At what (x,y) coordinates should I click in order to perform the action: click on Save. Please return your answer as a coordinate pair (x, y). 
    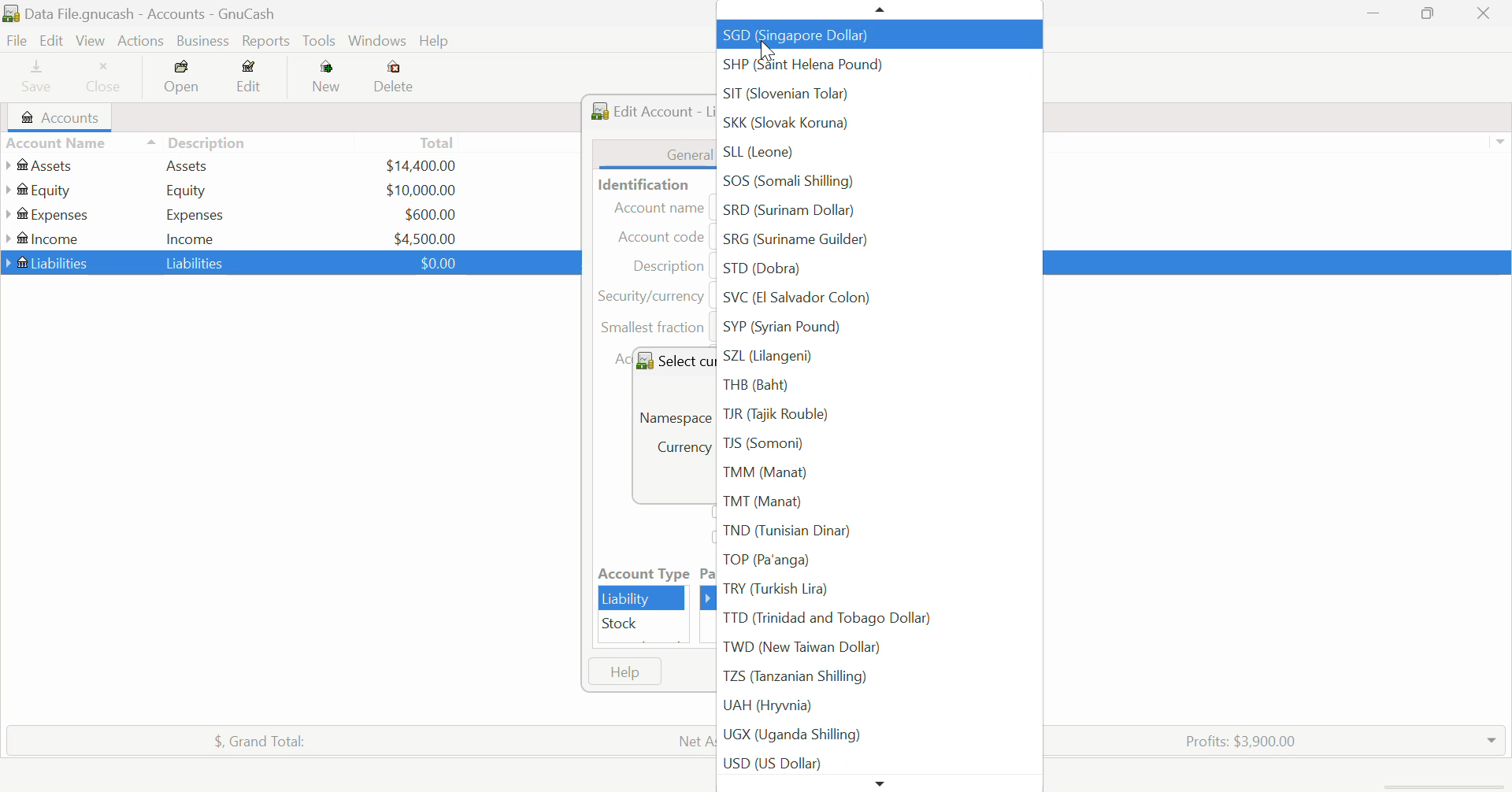
    Looking at the image, I should click on (30, 79).